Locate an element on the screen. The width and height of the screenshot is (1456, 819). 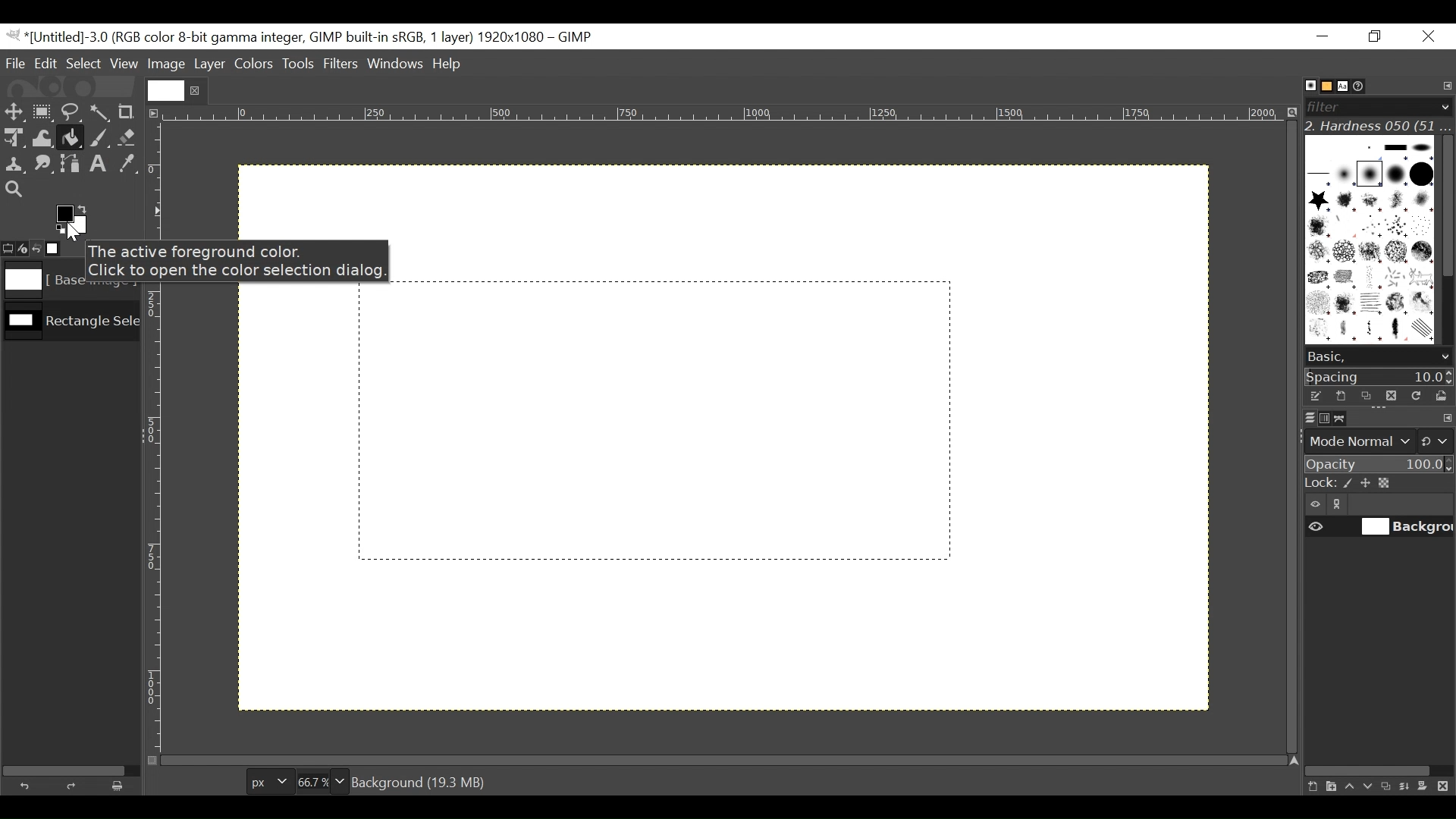
Windows is located at coordinates (397, 65).